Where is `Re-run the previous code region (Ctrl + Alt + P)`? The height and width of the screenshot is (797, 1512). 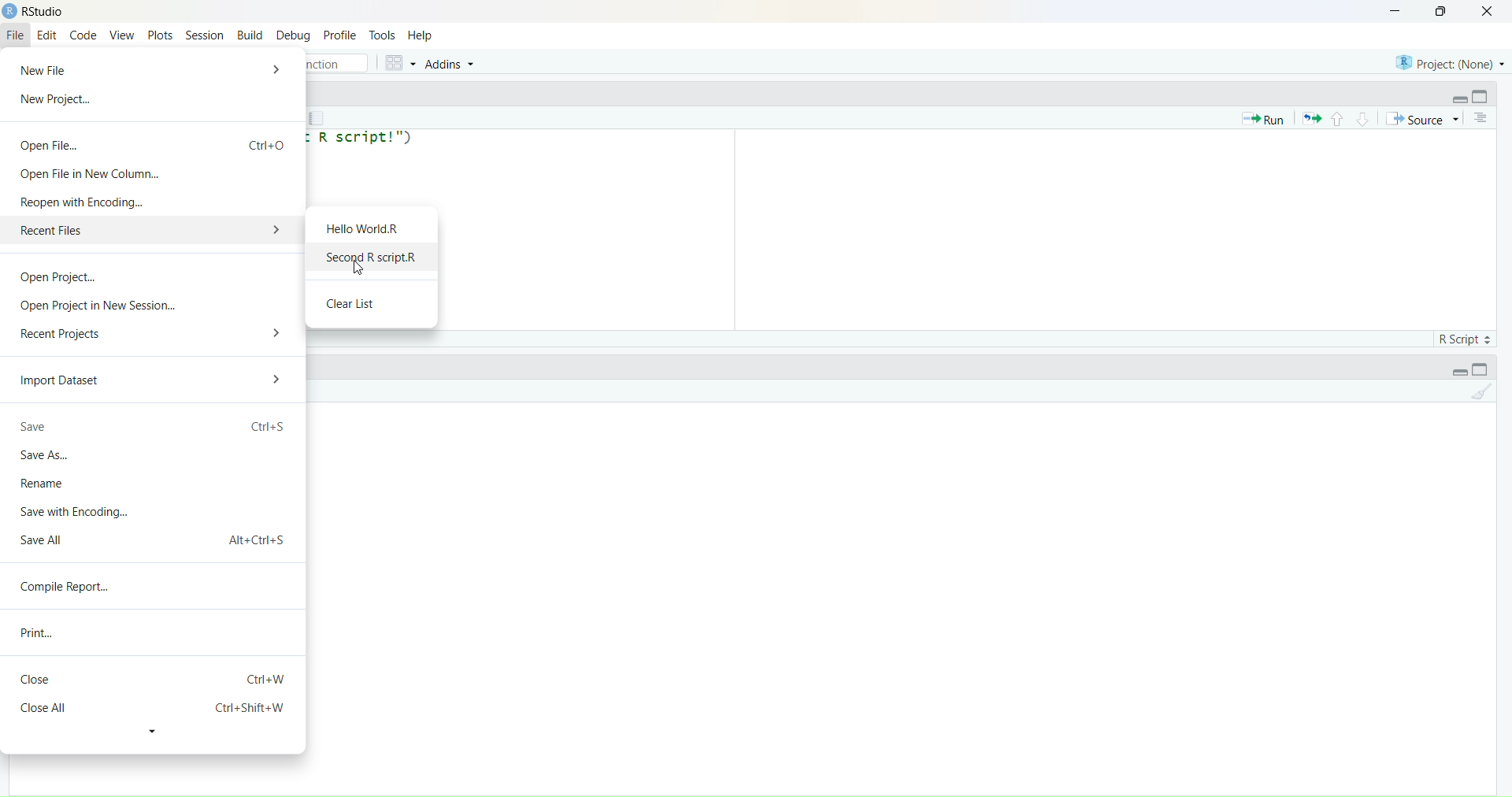 Re-run the previous code region (Ctrl + Alt + P) is located at coordinates (1311, 118).